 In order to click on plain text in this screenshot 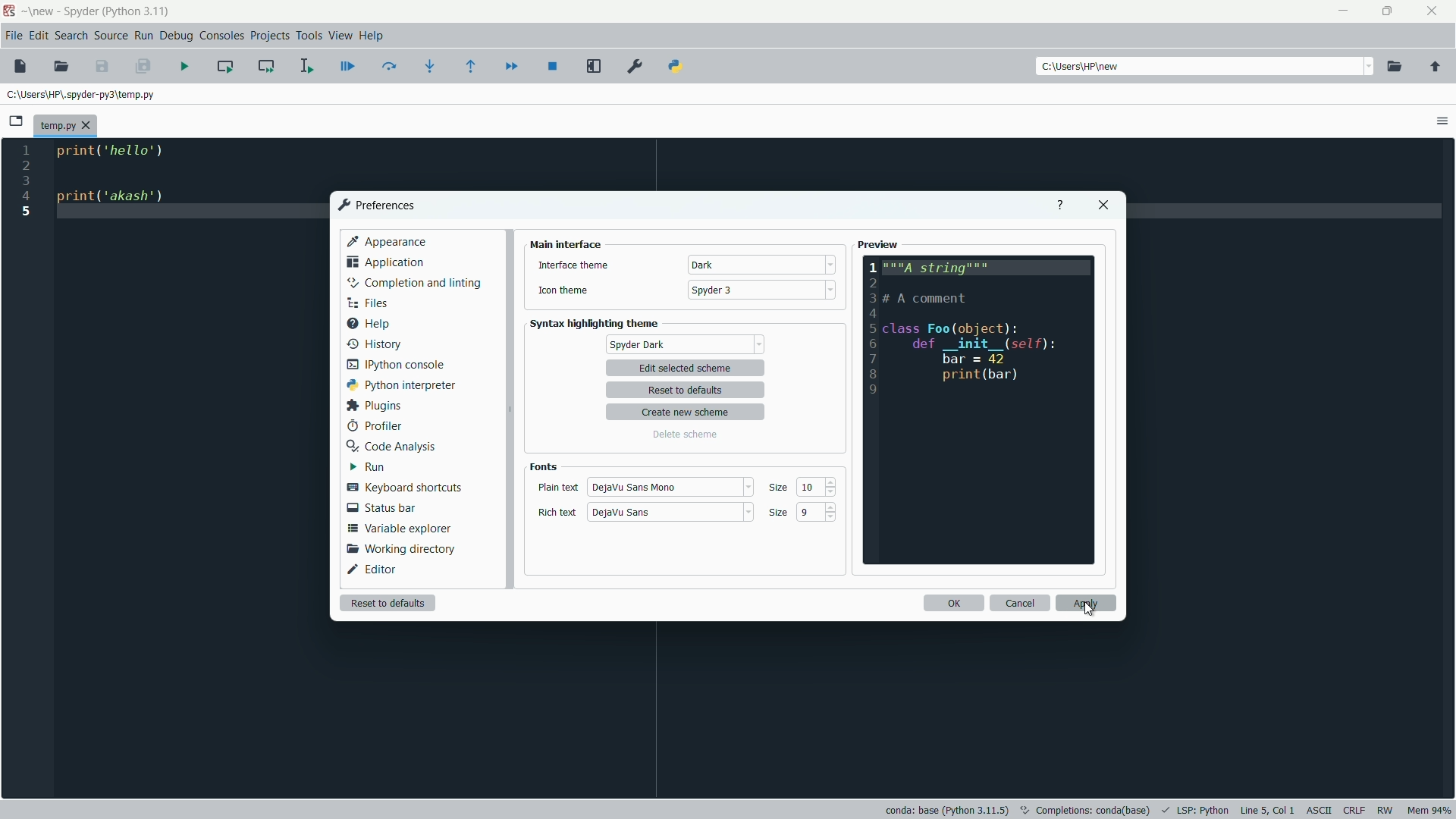, I will do `click(557, 488)`.